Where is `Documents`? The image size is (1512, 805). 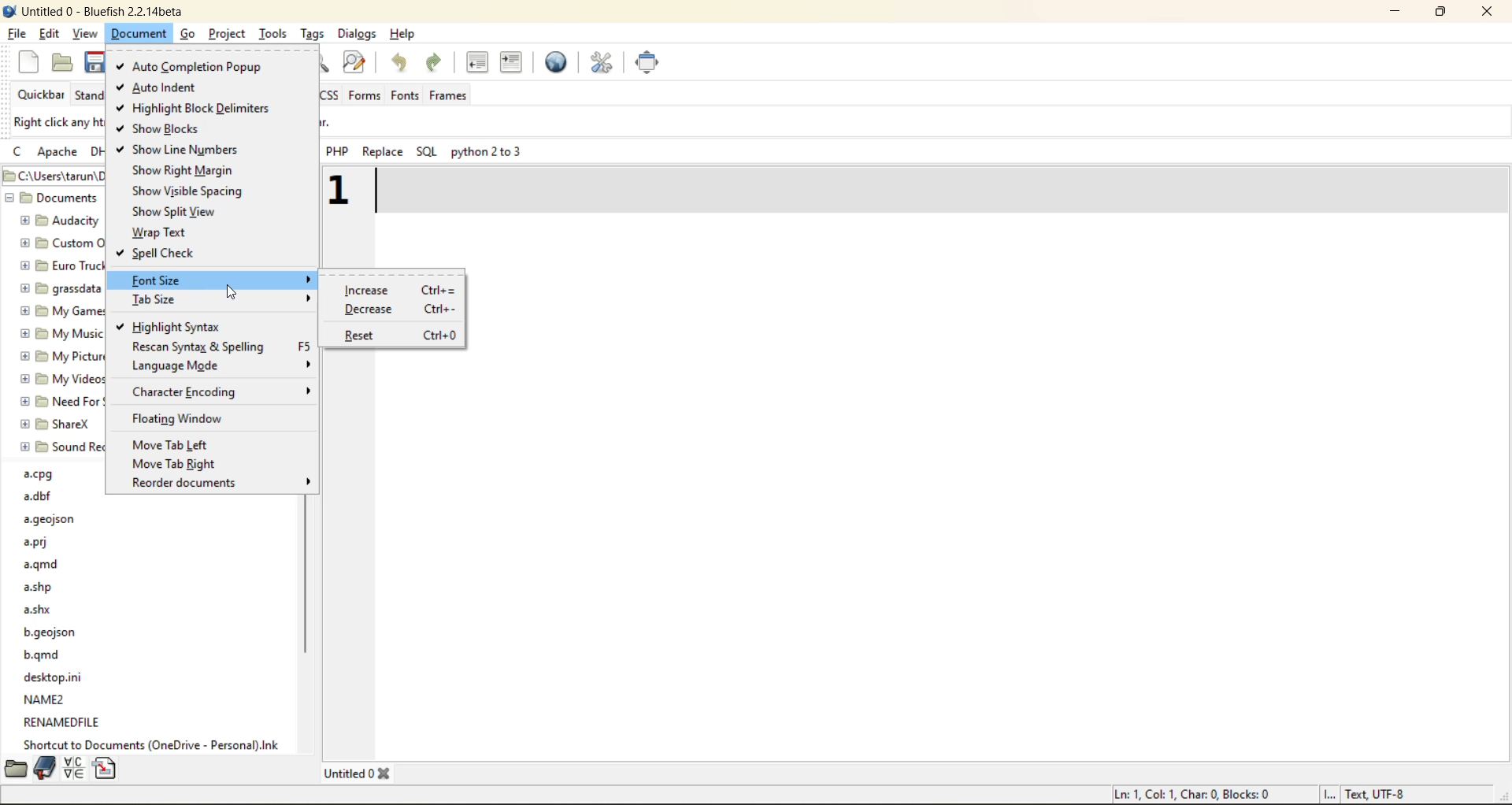
Documents is located at coordinates (57, 198).